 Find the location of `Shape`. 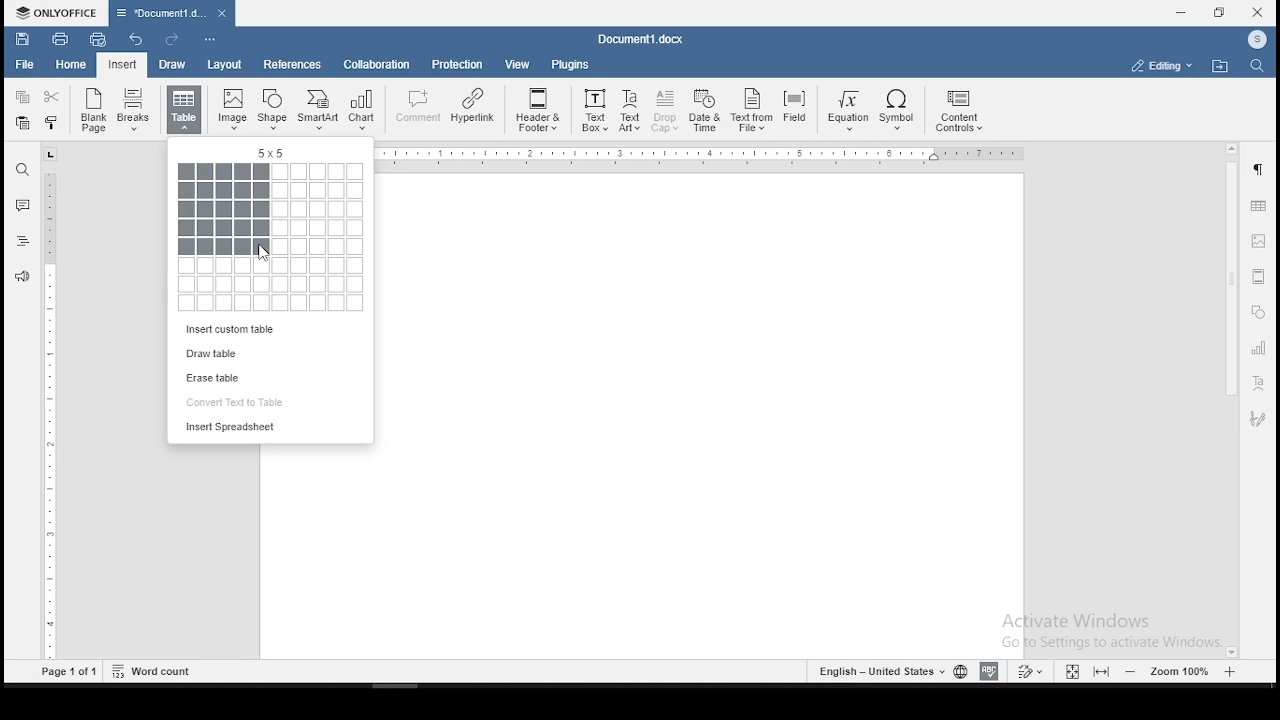

Shape is located at coordinates (274, 108).